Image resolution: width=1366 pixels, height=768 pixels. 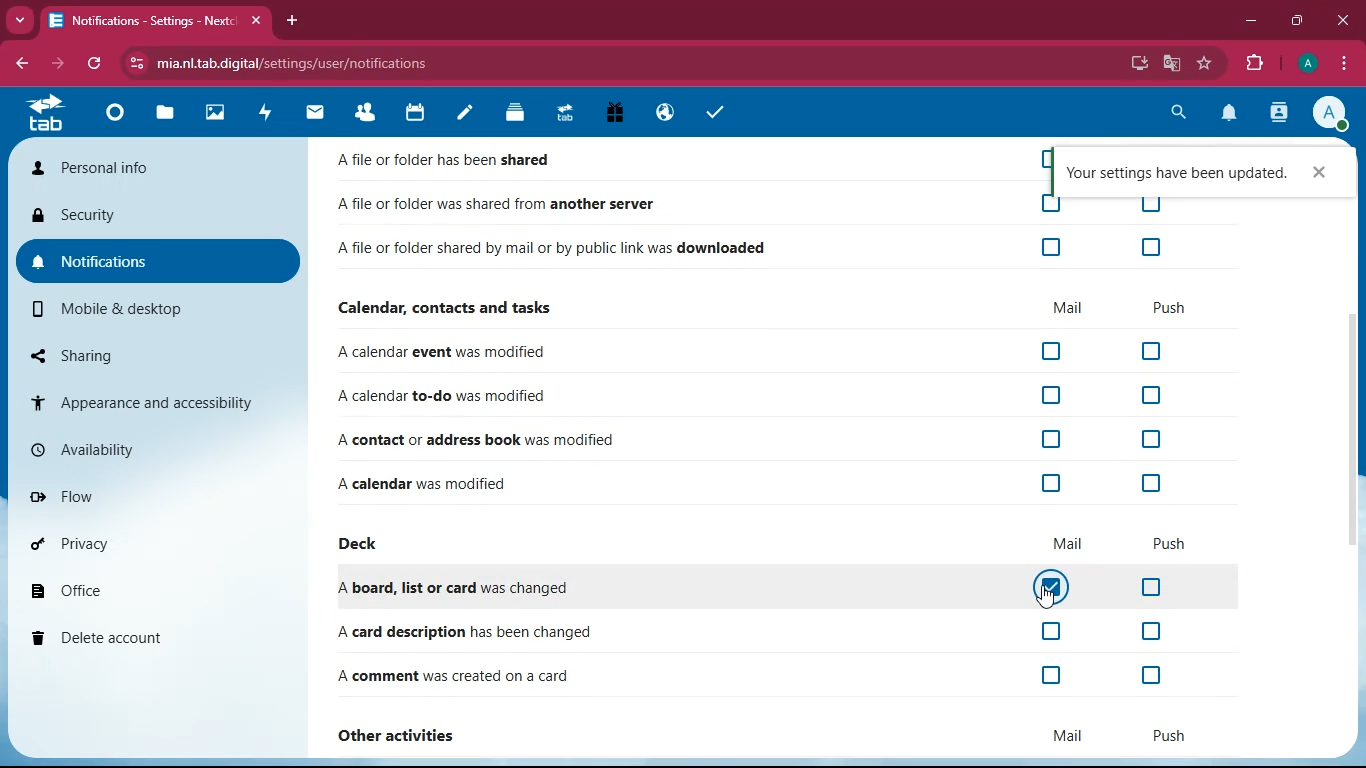 I want to click on push, so click(x=1170, y=537).